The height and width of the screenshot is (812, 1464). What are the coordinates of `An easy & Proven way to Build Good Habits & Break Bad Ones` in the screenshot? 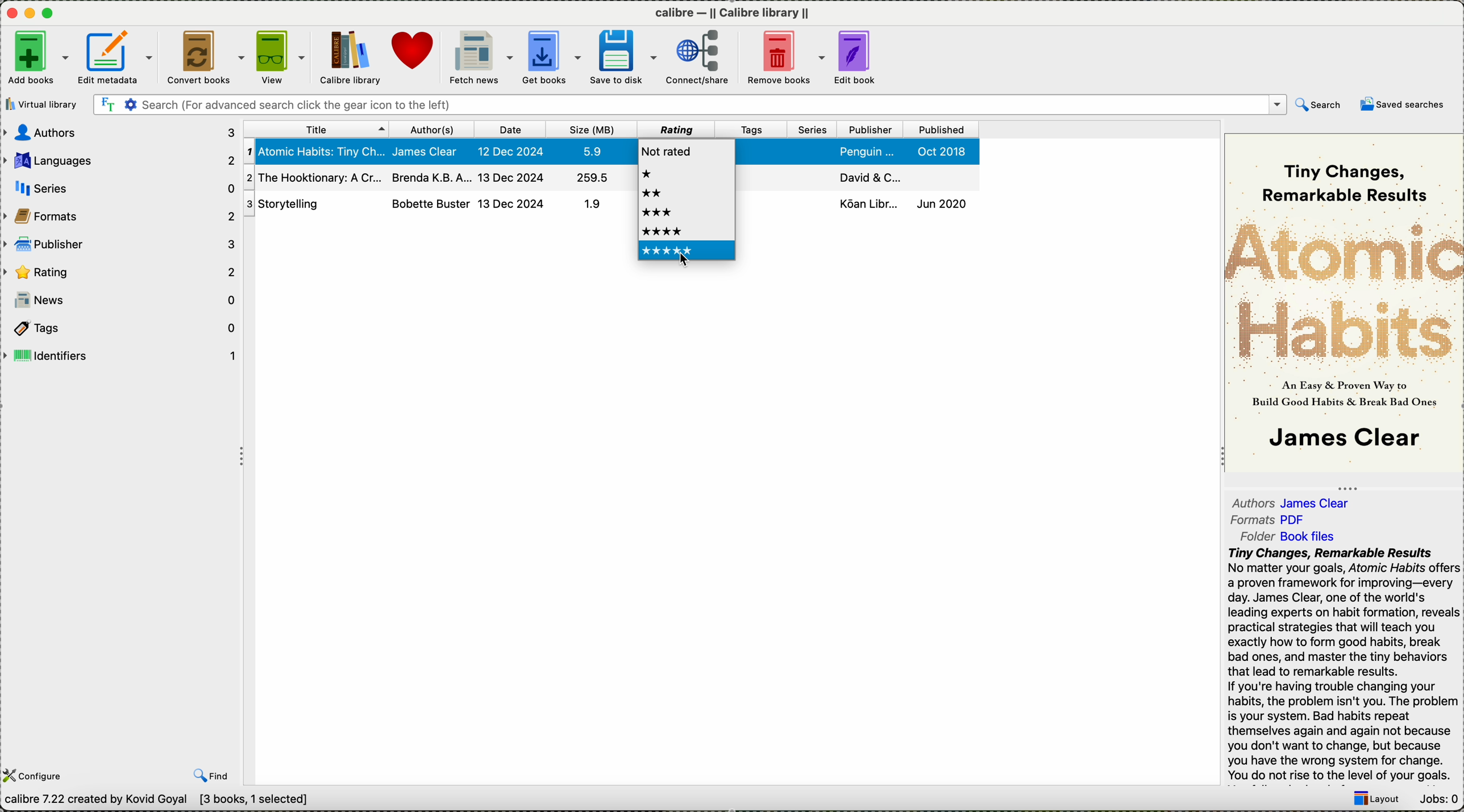 It's located at (1346, 392).